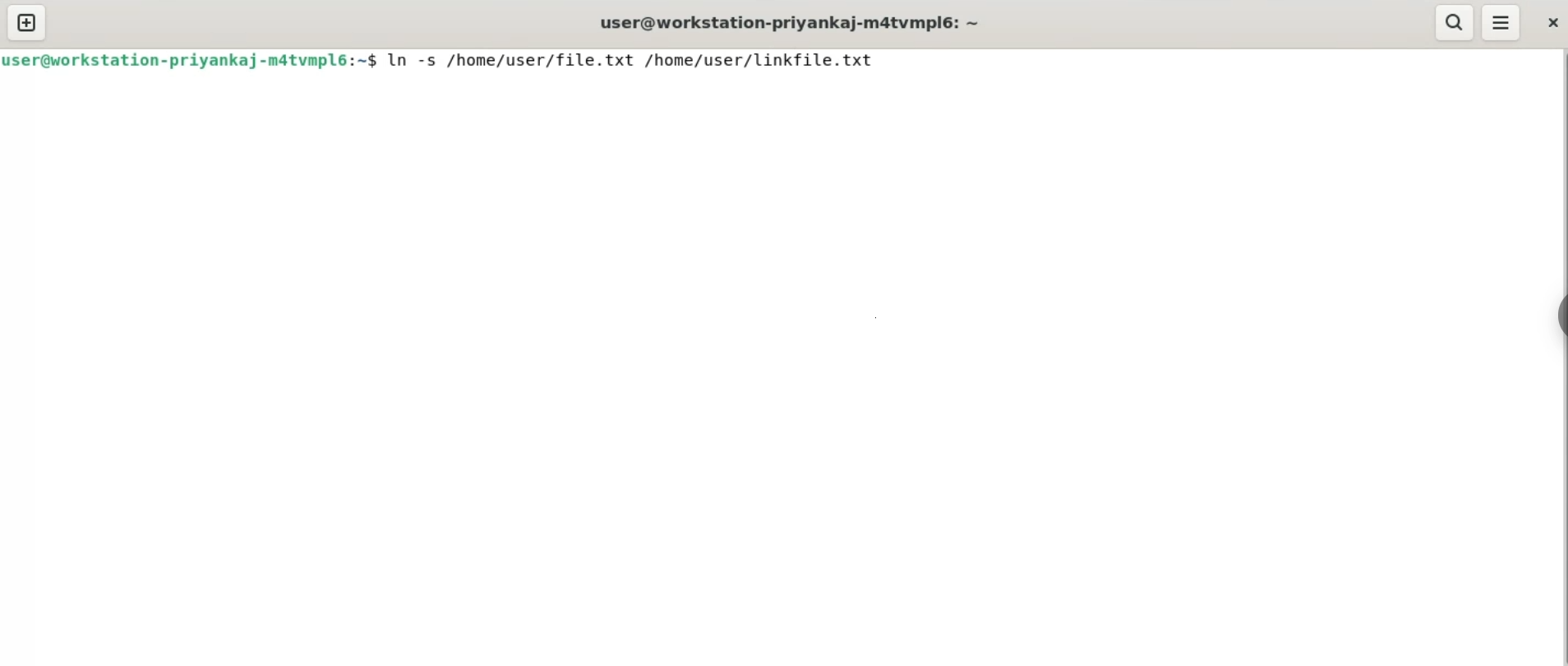 This screenshot has height=666, width=1568. What do you see at coordinates (639, 61) in the screenshot?
I see `ln-s /home/user/file.txt /home/user/linkfile.txt` at bounding box center [639, 61].